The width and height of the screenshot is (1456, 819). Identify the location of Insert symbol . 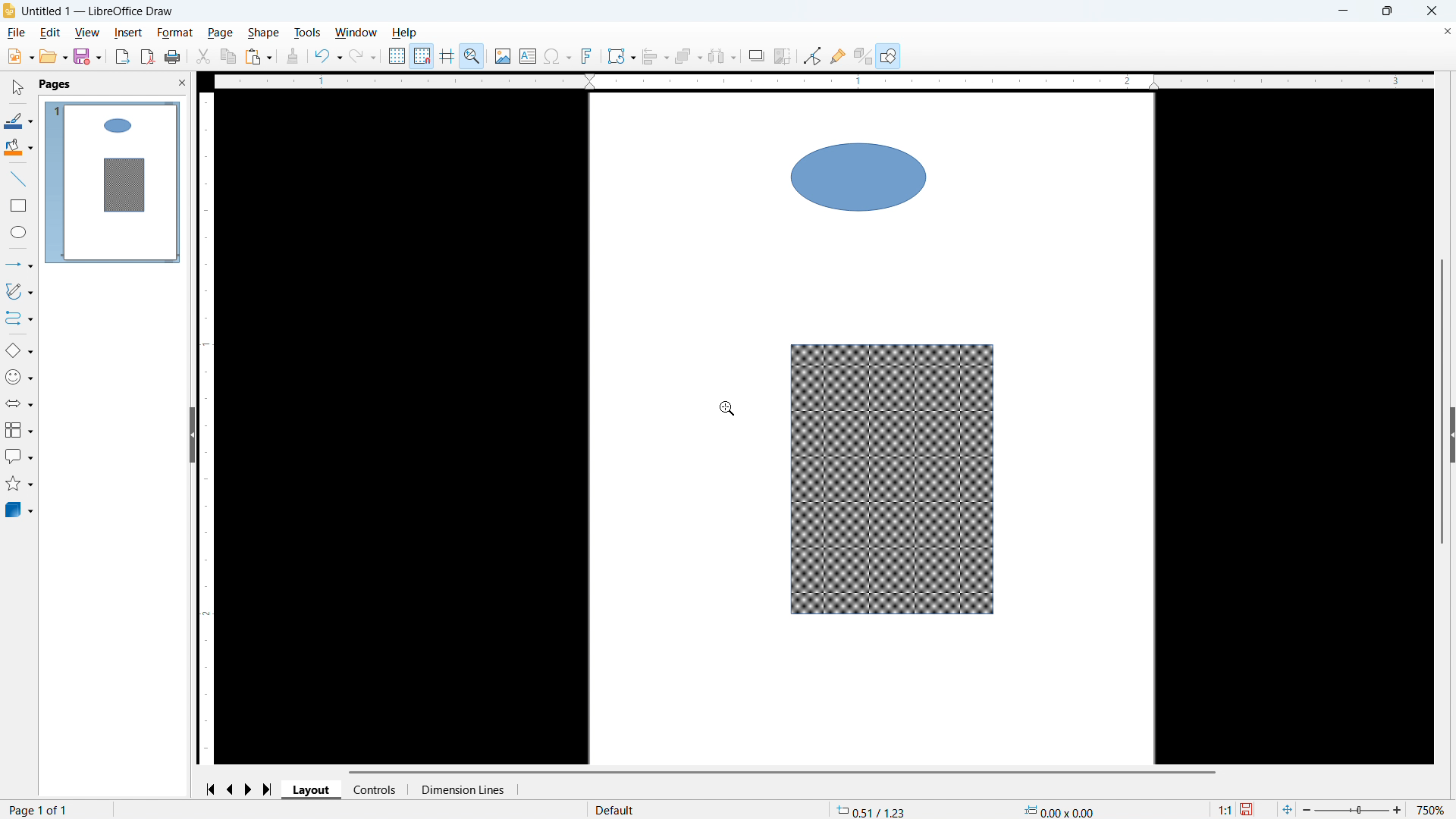
(557, 55).